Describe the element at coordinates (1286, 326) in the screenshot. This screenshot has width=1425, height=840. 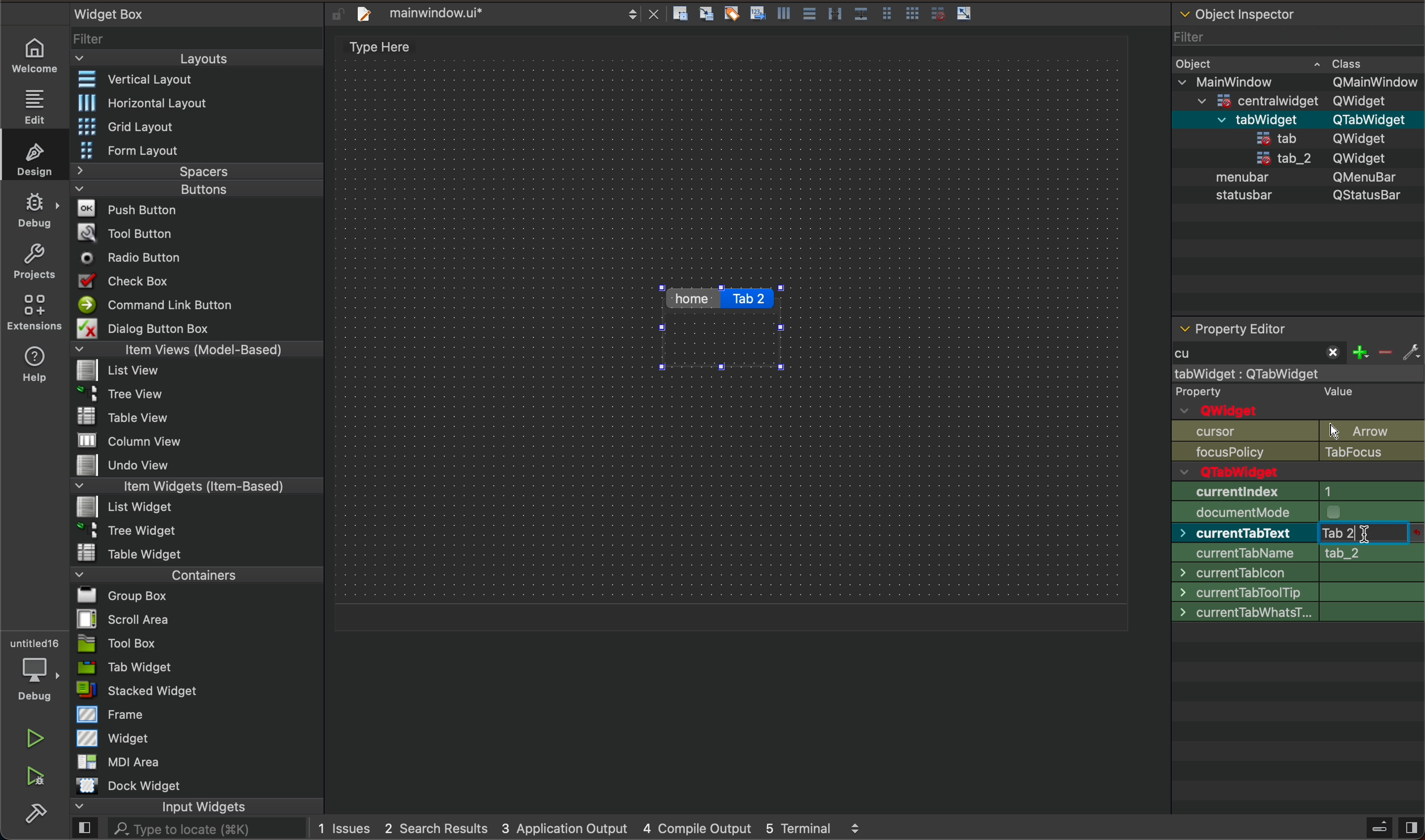
I see `property editor` at that location.